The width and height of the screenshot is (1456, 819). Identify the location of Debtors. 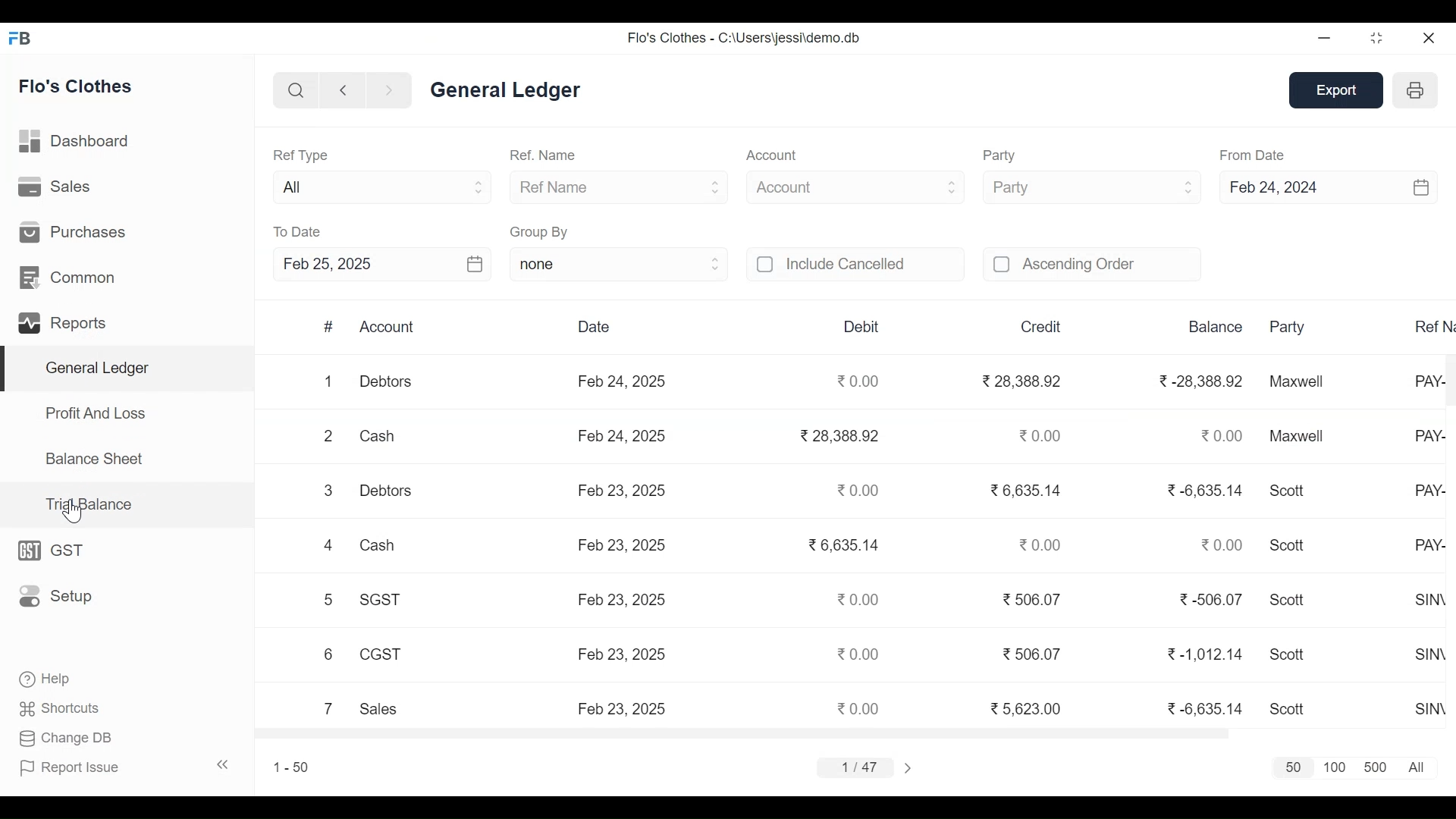
(384, 490).